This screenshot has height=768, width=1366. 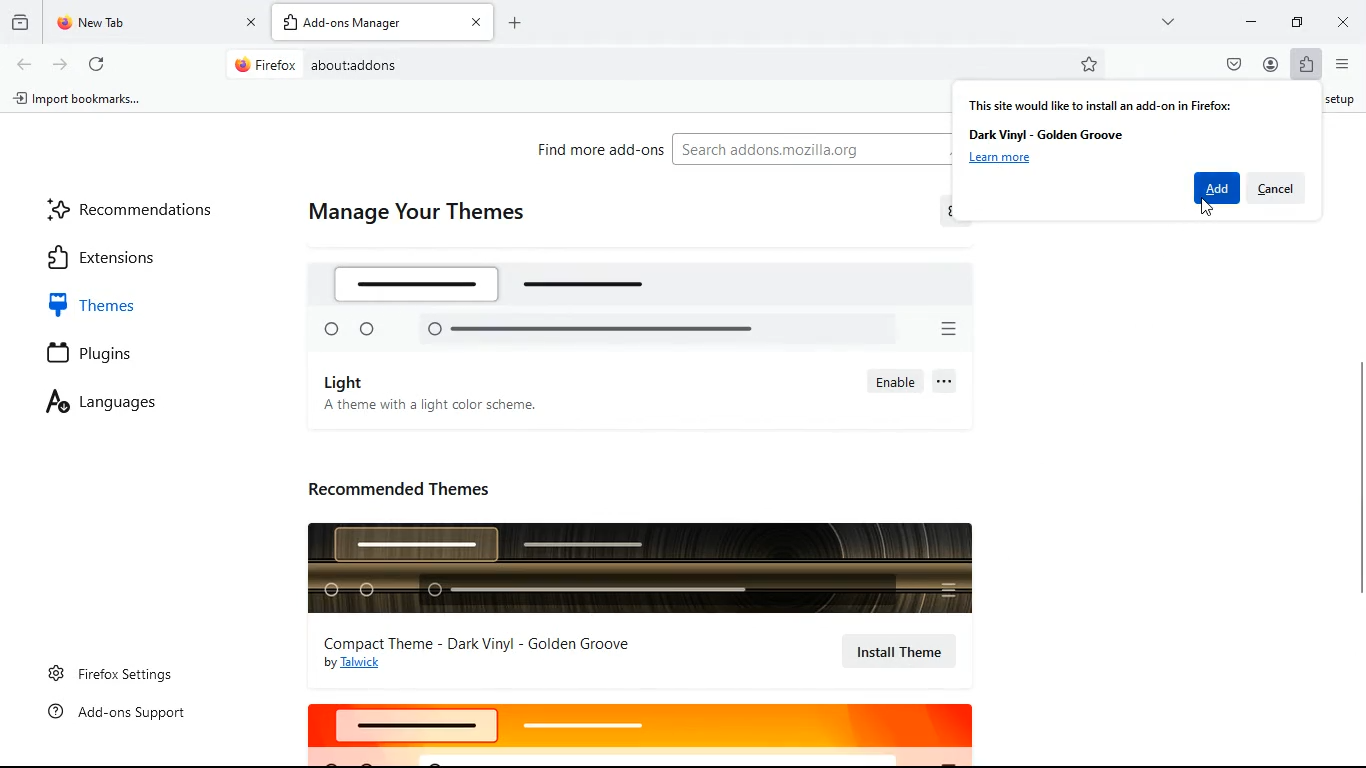 I want to click on add, so click(x=1217, y=188).